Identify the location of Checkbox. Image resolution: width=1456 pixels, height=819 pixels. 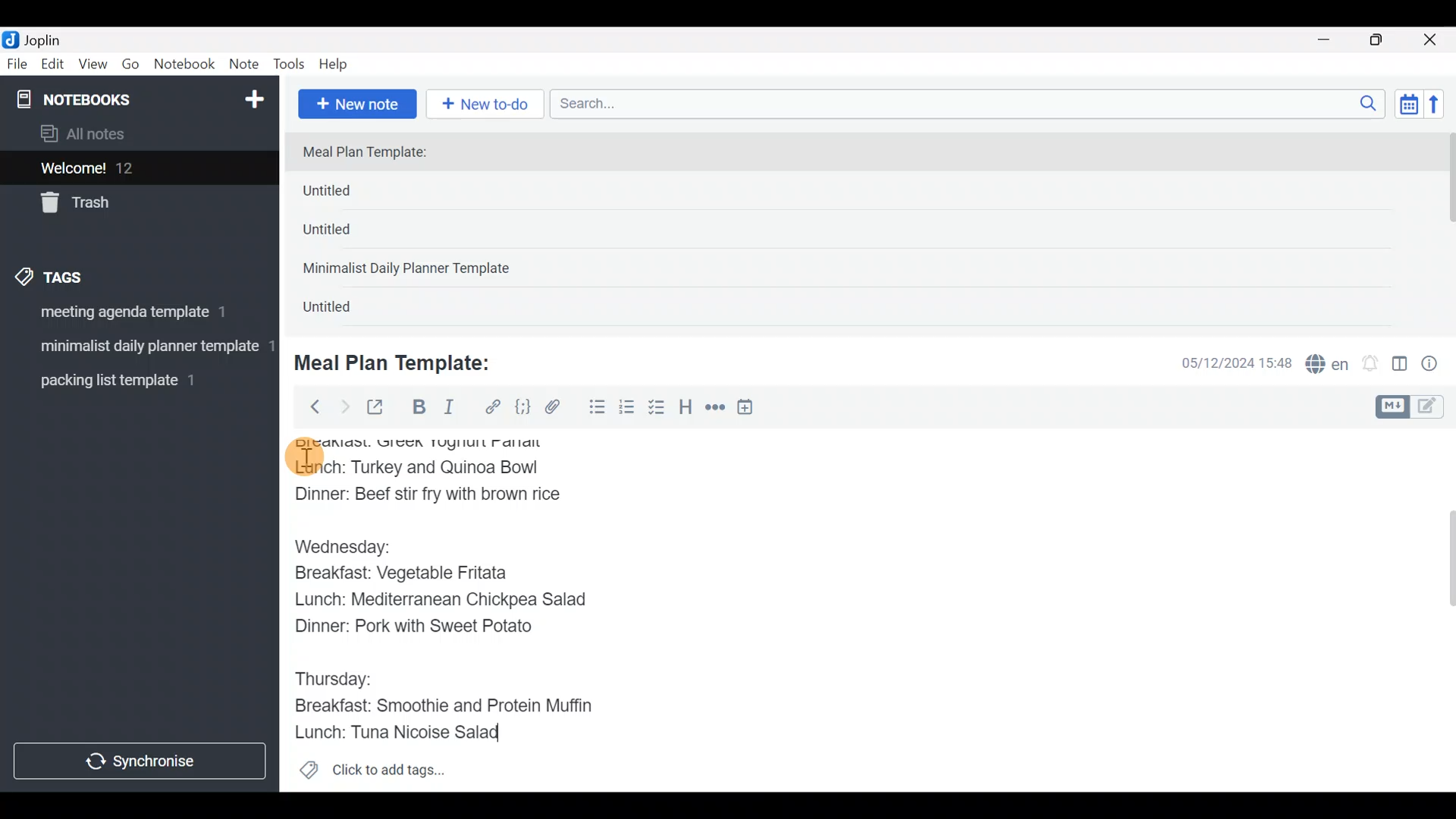
(658, 409).